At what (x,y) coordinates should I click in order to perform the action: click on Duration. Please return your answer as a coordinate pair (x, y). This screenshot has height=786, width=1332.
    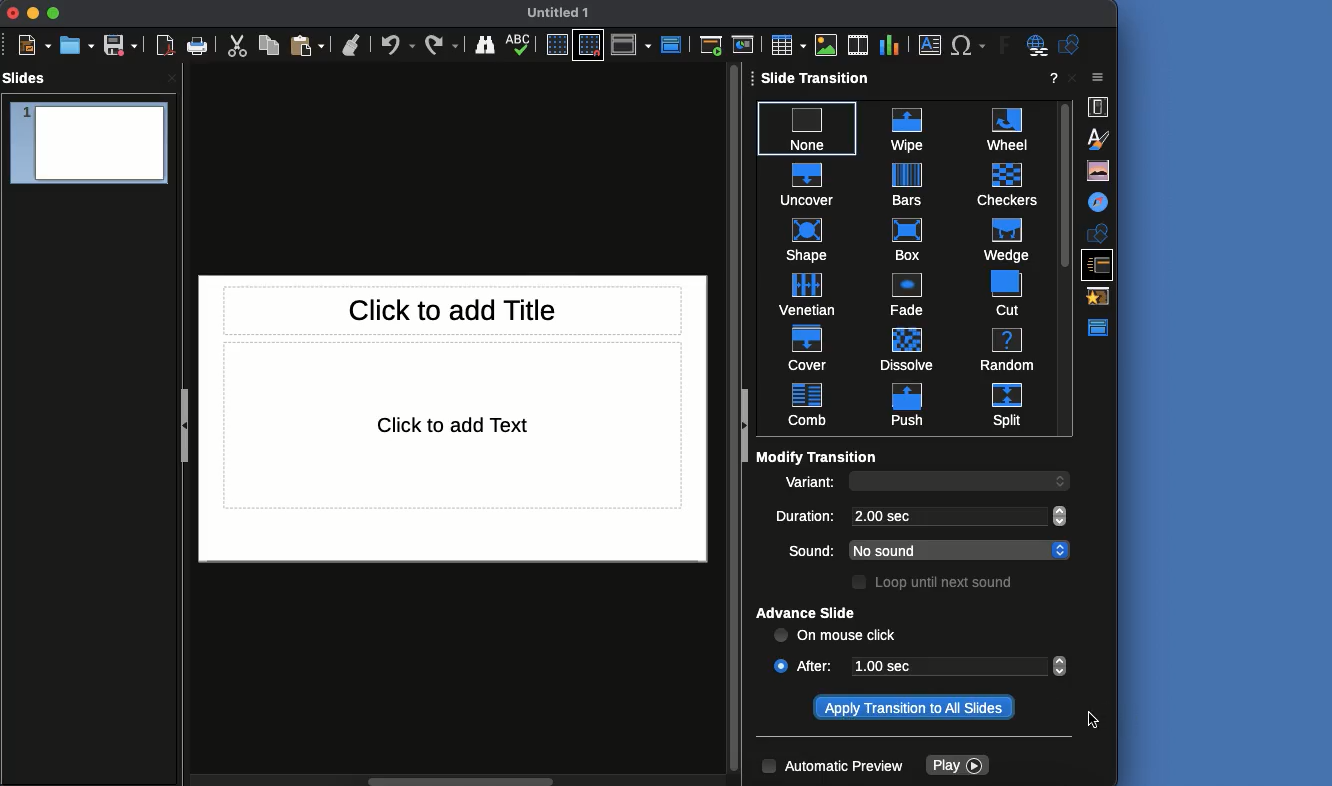
    Looking at the image, I should click on (808, 518).